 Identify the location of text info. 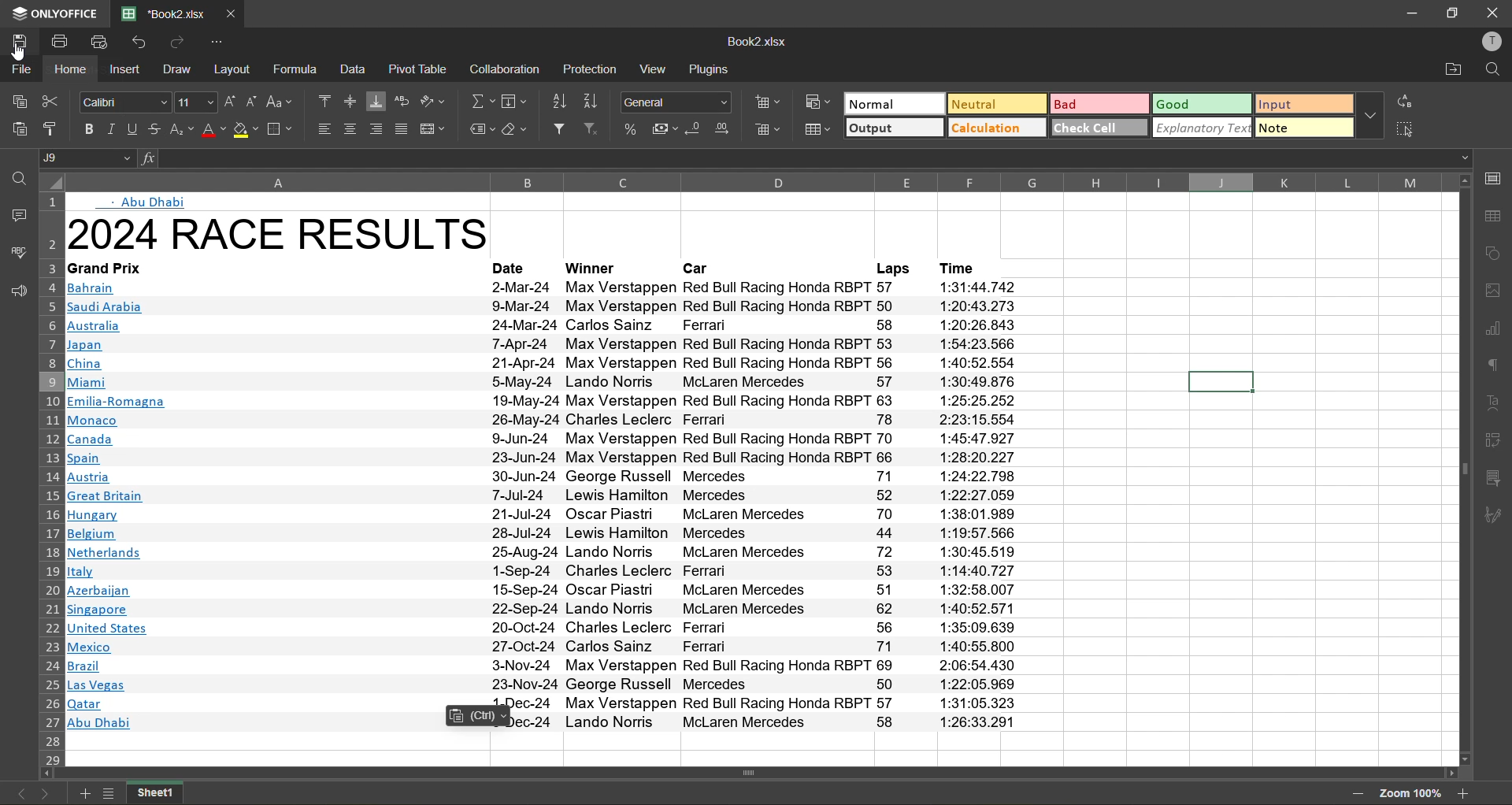
(547, 704).